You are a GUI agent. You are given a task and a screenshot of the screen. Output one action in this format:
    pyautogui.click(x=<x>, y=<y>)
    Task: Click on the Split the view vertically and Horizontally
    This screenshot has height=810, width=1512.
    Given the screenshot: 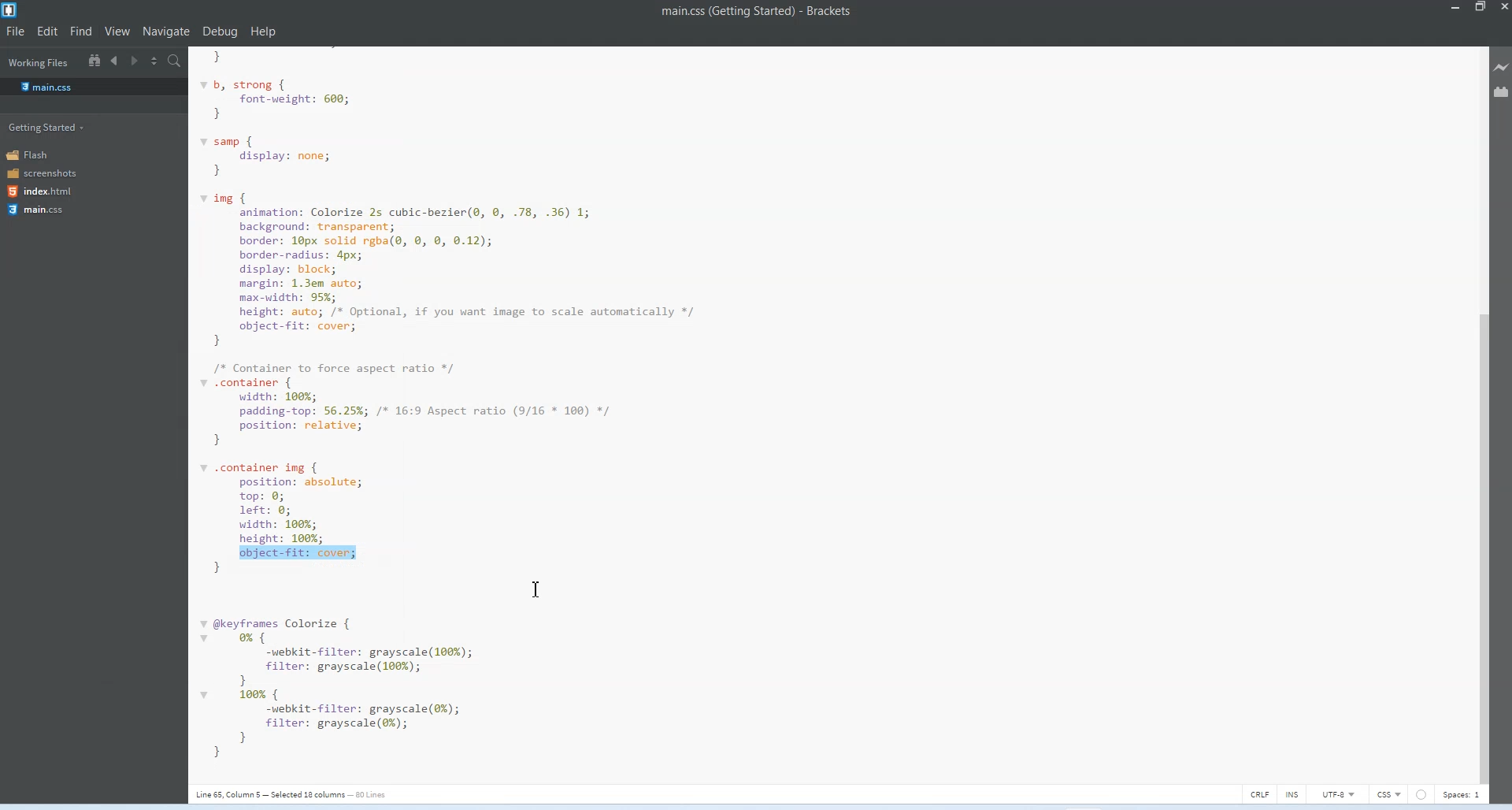 What is the action you would take?
    pyautogui.click(x=154, y=61)
    